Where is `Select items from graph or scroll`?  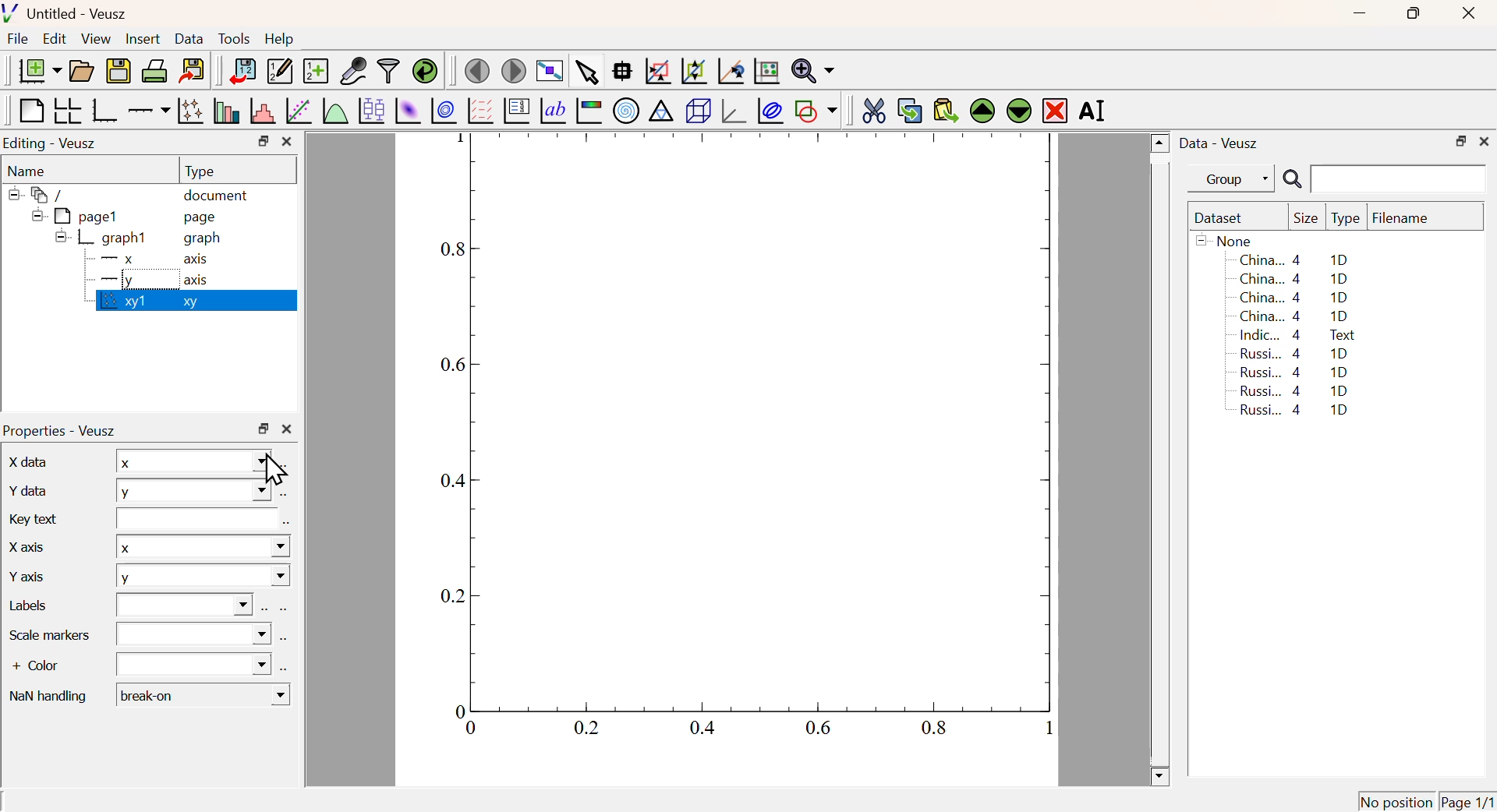
Select items from graph or scroll is located at coordinates (586, 75).